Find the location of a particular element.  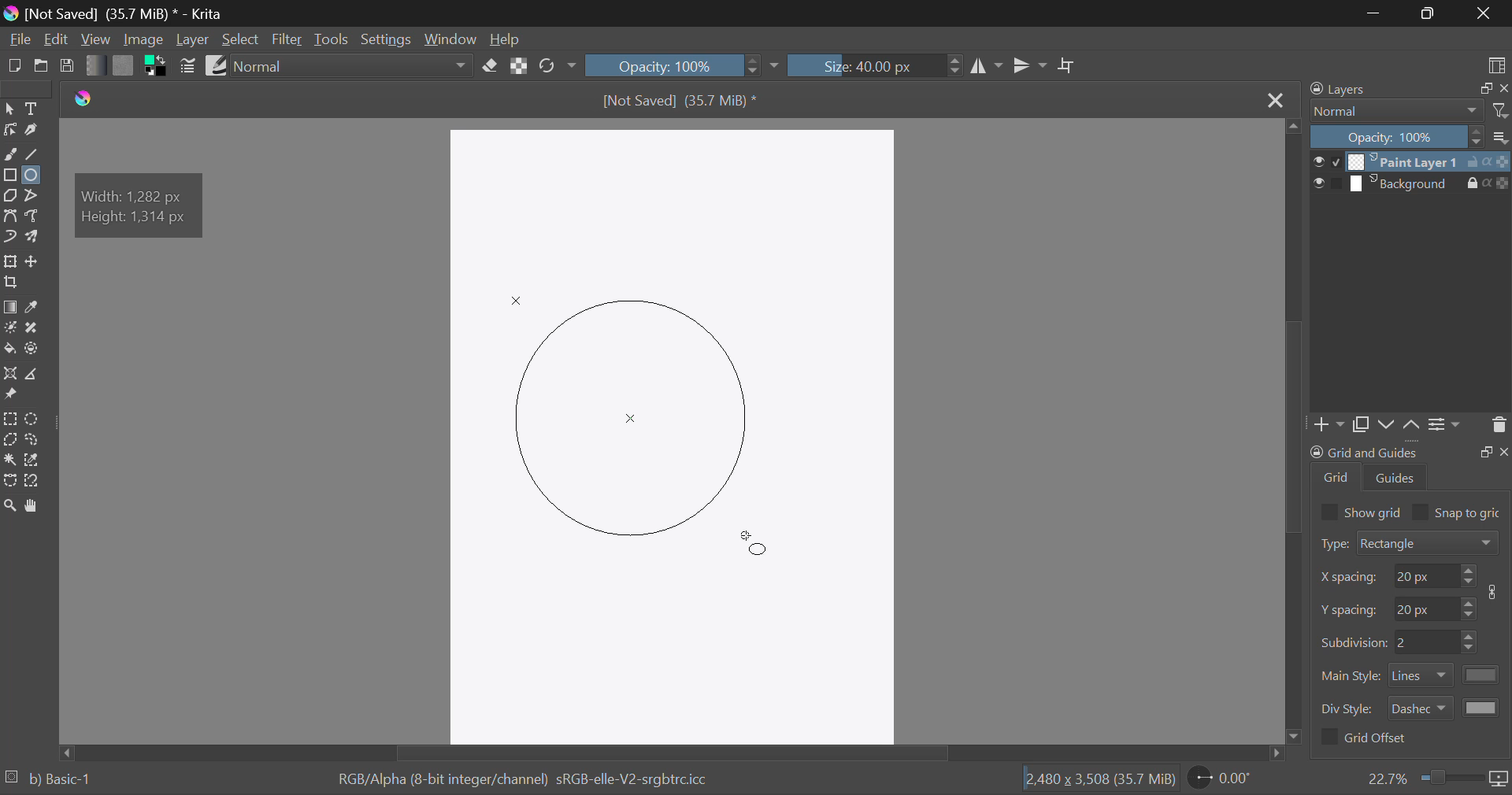

Close is located at coordinates (1484, 13).